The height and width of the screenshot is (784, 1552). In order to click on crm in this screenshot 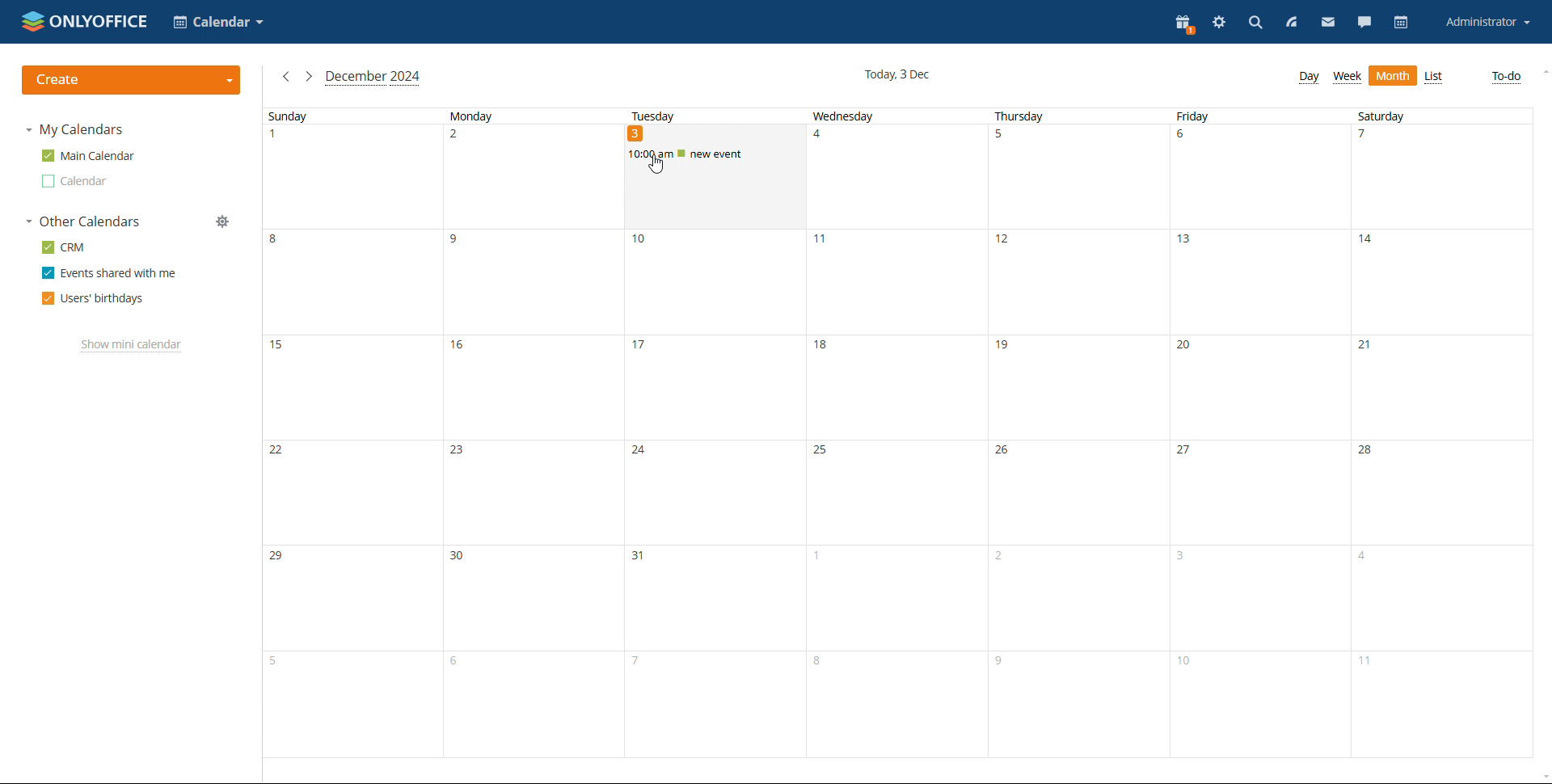, I will do `click(64, 247)`.